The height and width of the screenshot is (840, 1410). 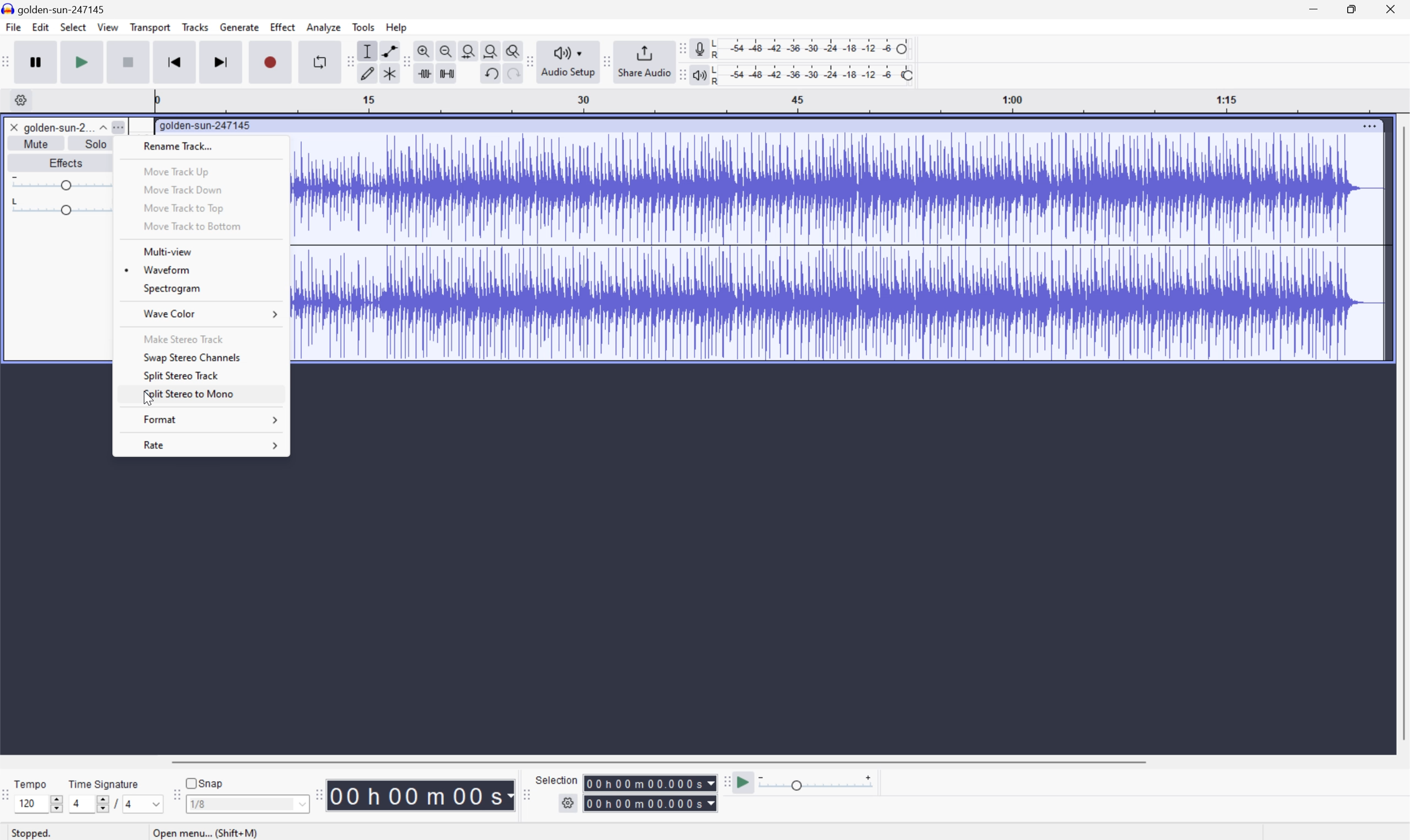 I want to click on Scroll Bar, so click(x=661, y=761).